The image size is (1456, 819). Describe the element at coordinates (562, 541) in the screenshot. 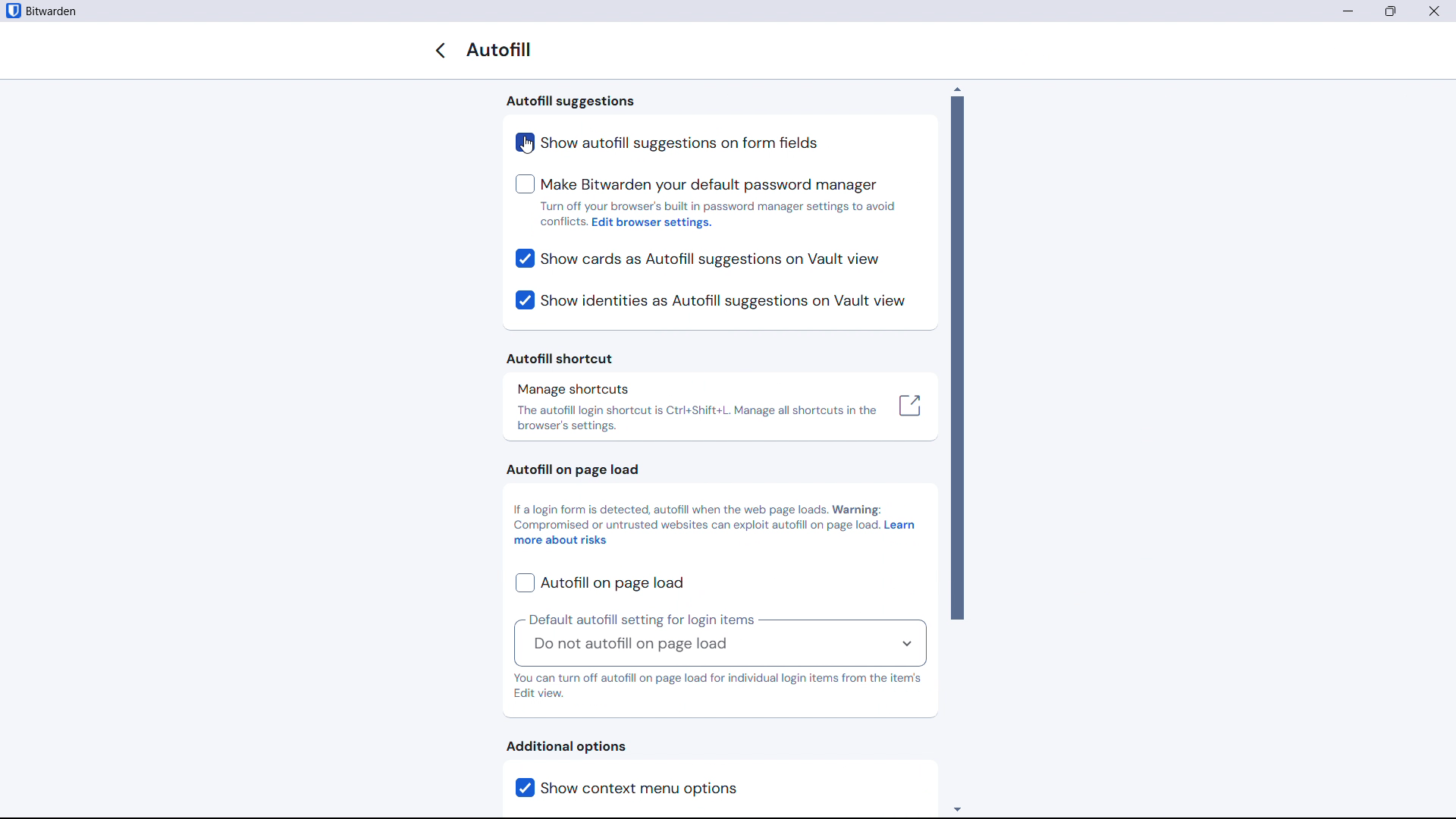

I see `more about risks` at that location.